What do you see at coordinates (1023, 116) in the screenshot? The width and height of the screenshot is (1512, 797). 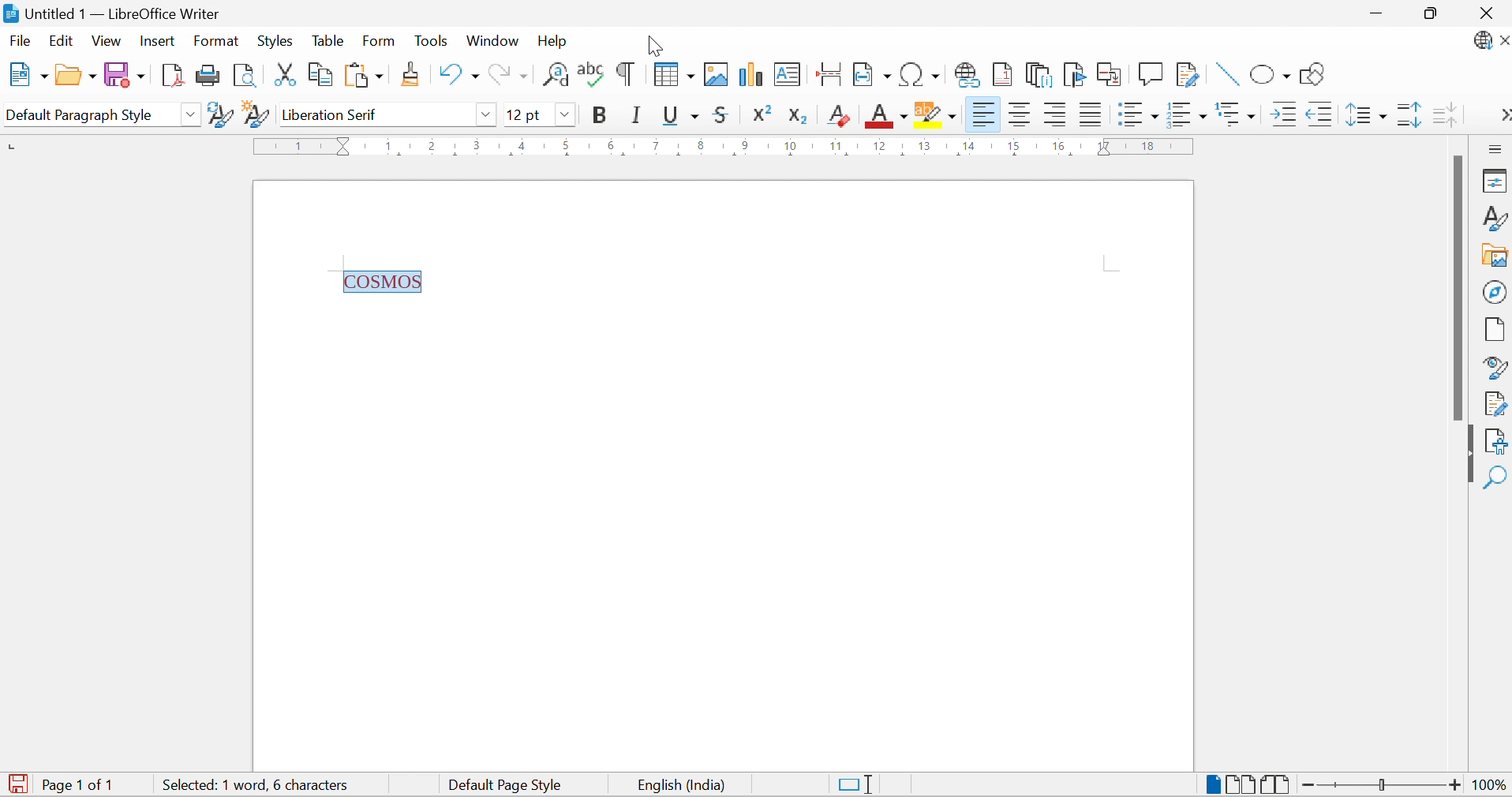 I see `Align Center` at bounding box center [1023, 116].